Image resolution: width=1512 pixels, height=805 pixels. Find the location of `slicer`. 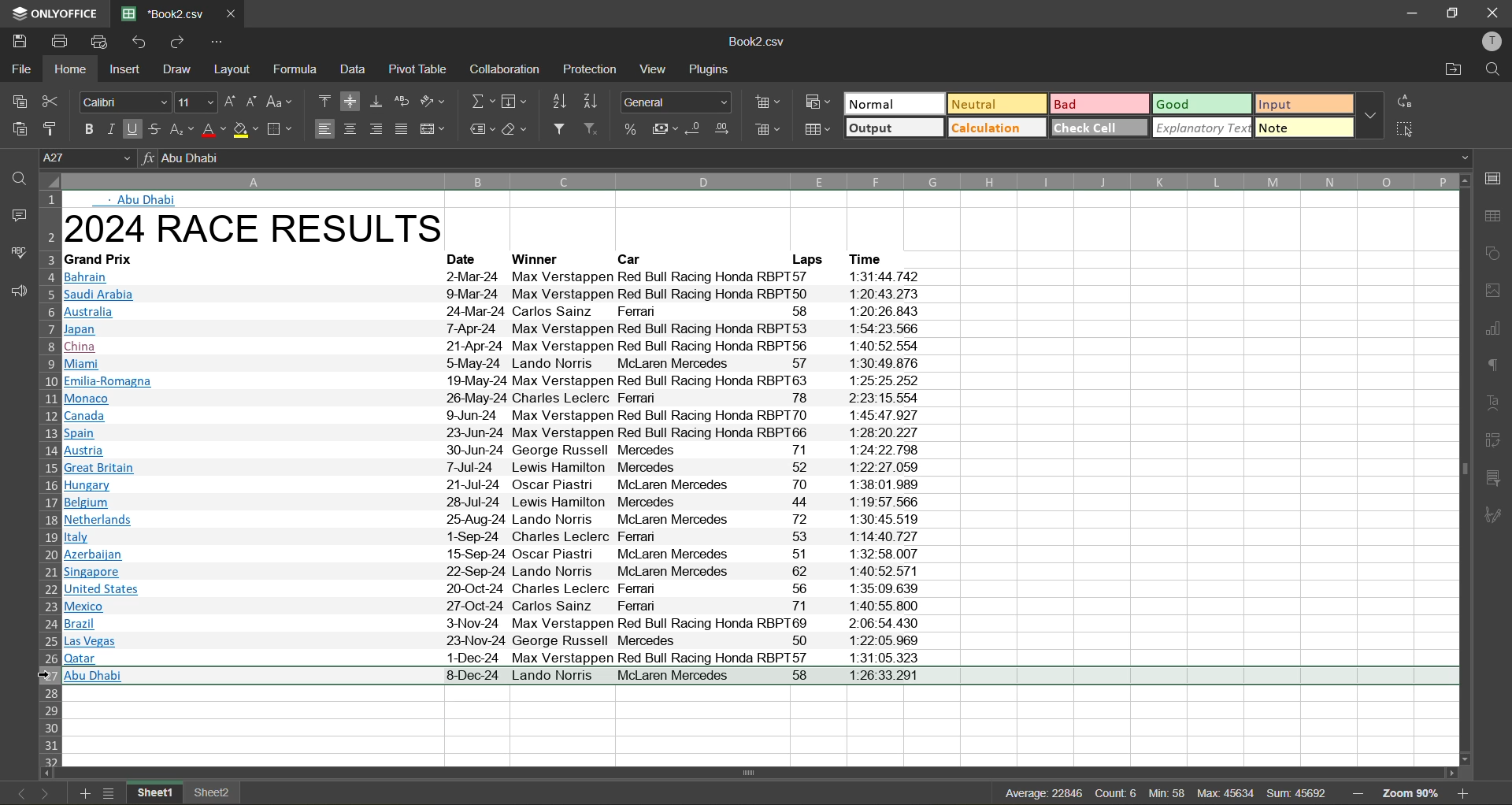

slicer is located at coordinates (1494, 479).